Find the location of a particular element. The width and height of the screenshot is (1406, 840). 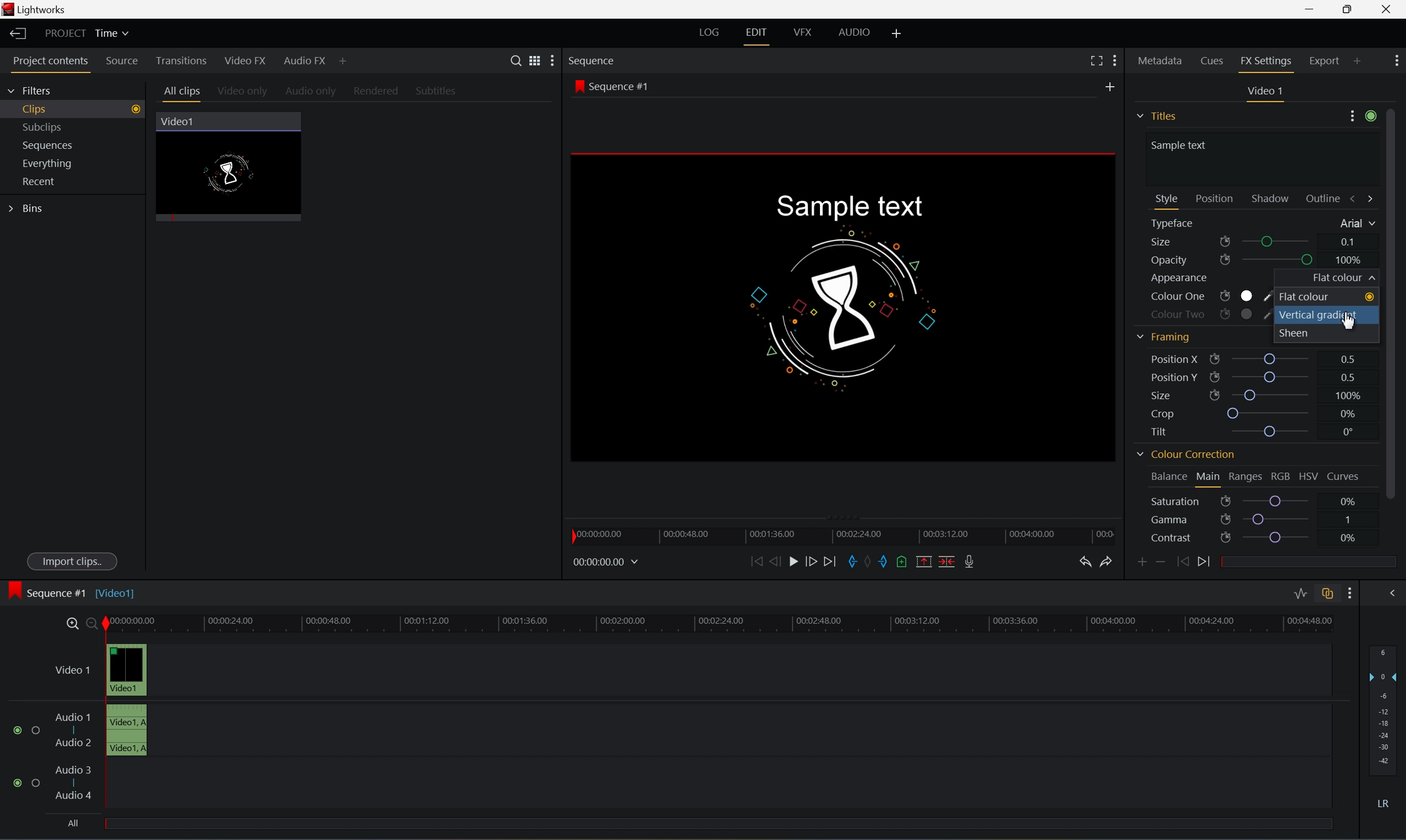

Bins is located at coordinates (28, 209).